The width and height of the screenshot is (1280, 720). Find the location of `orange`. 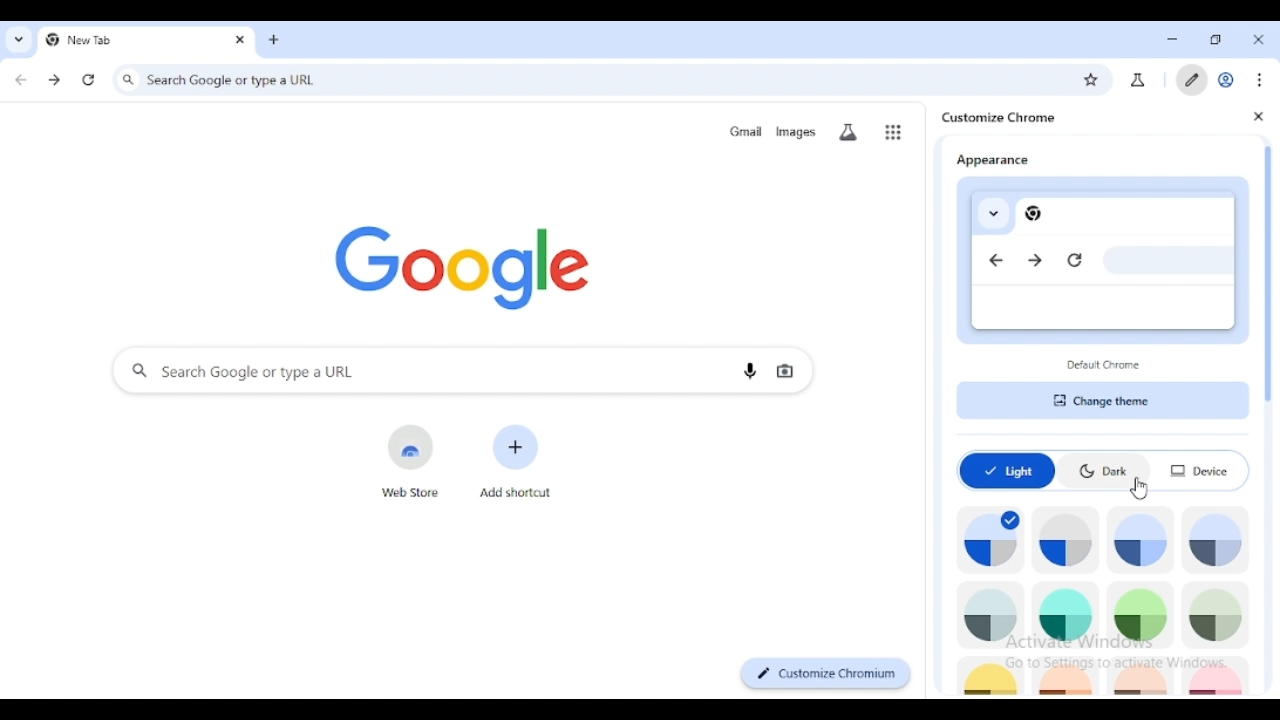

orange is located at coordinates (1068, 678).